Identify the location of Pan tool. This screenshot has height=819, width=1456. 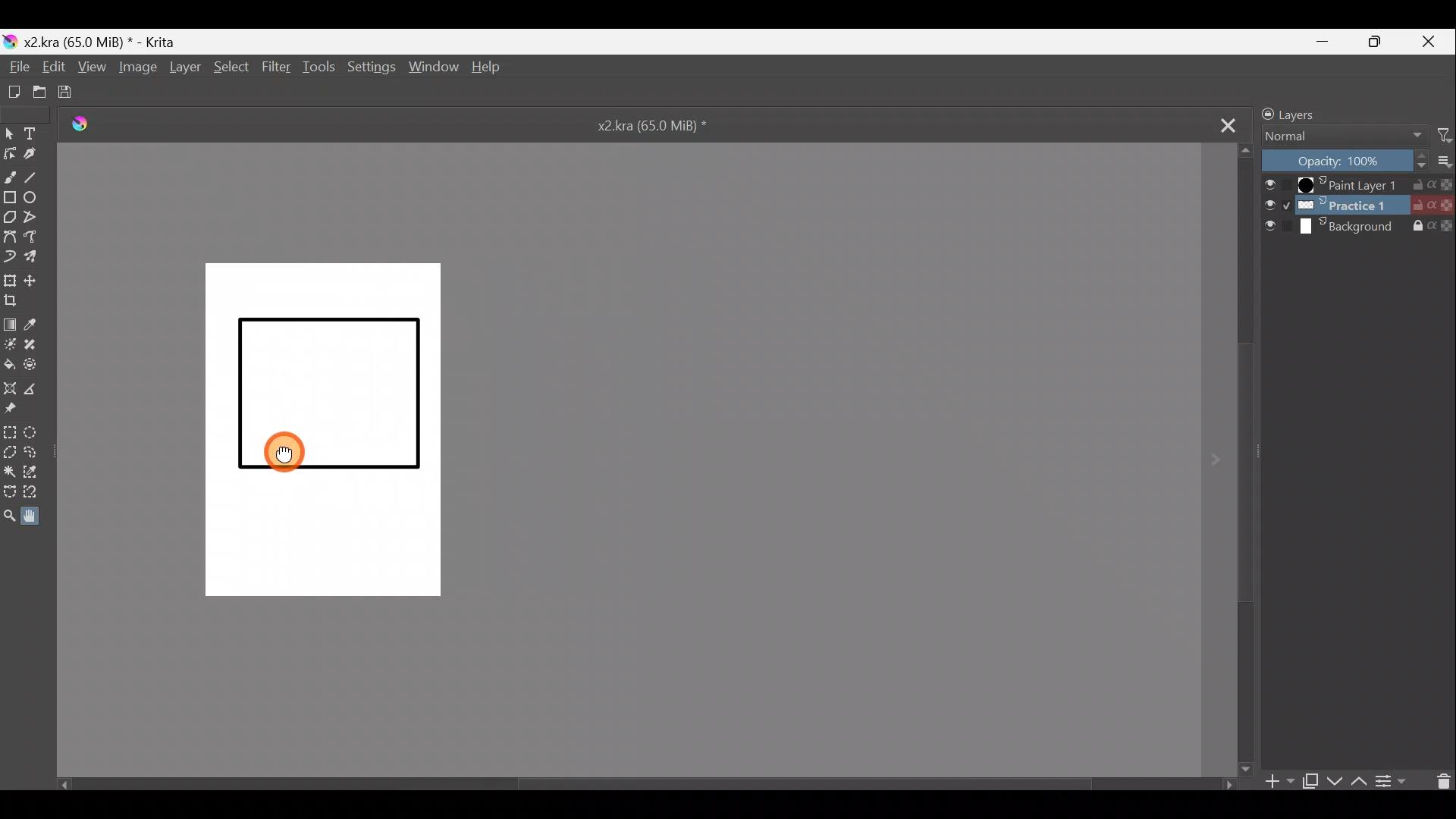
(39, 514).